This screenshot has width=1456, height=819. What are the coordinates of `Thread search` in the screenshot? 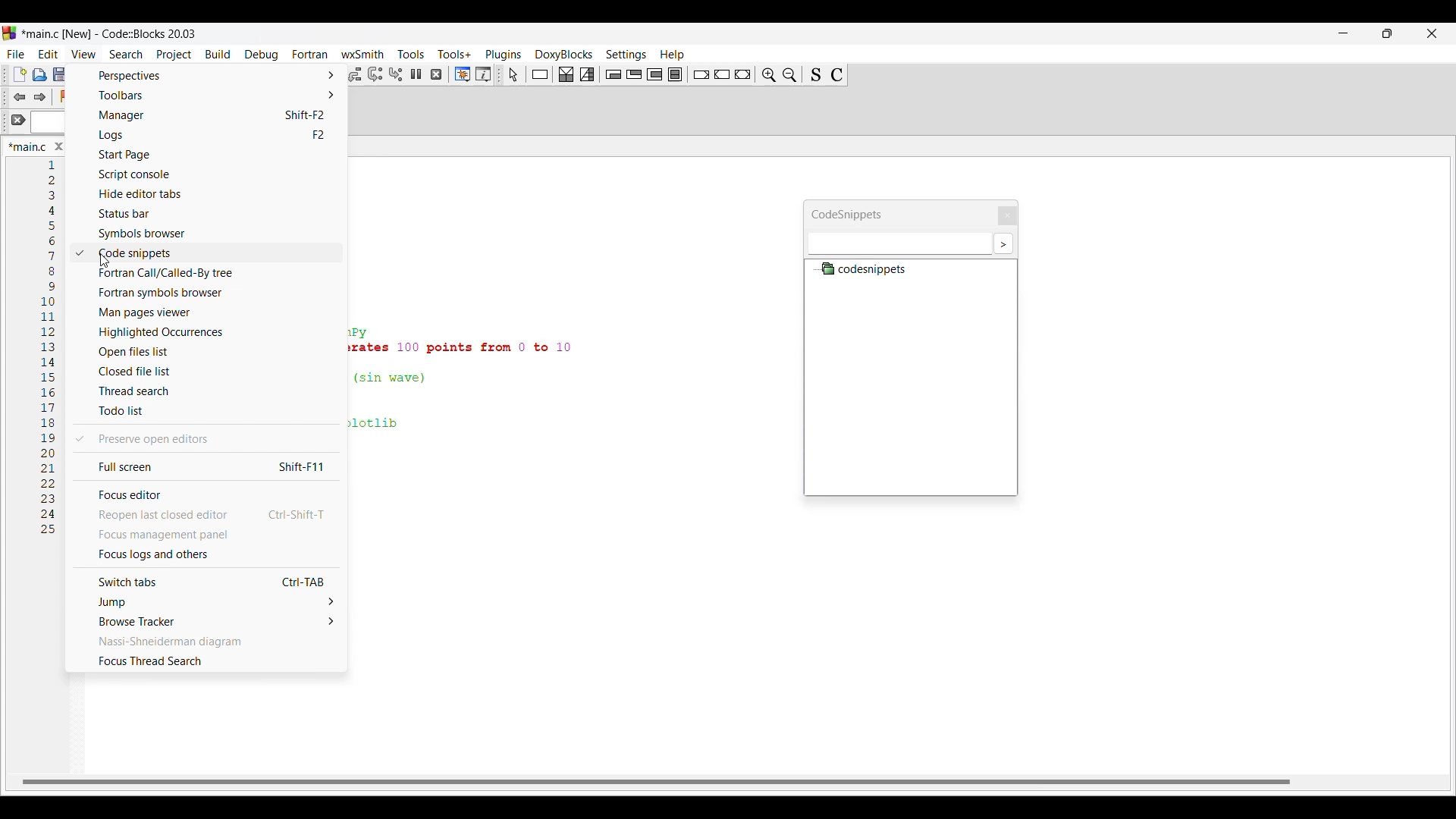 It's located at (216, 390).